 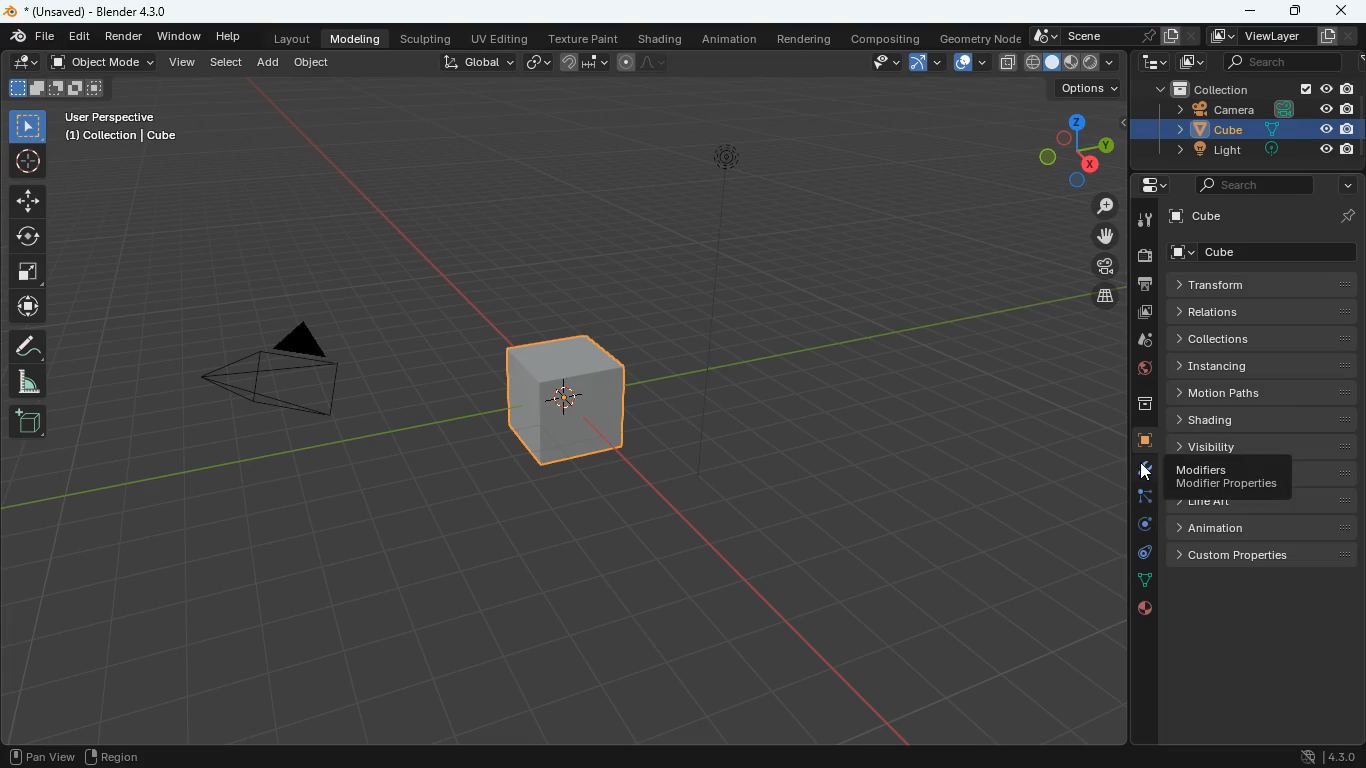 What do you see at coordinates (1343, 10) in the screenshot?
I see `close` at bounding box center [1343, 10].